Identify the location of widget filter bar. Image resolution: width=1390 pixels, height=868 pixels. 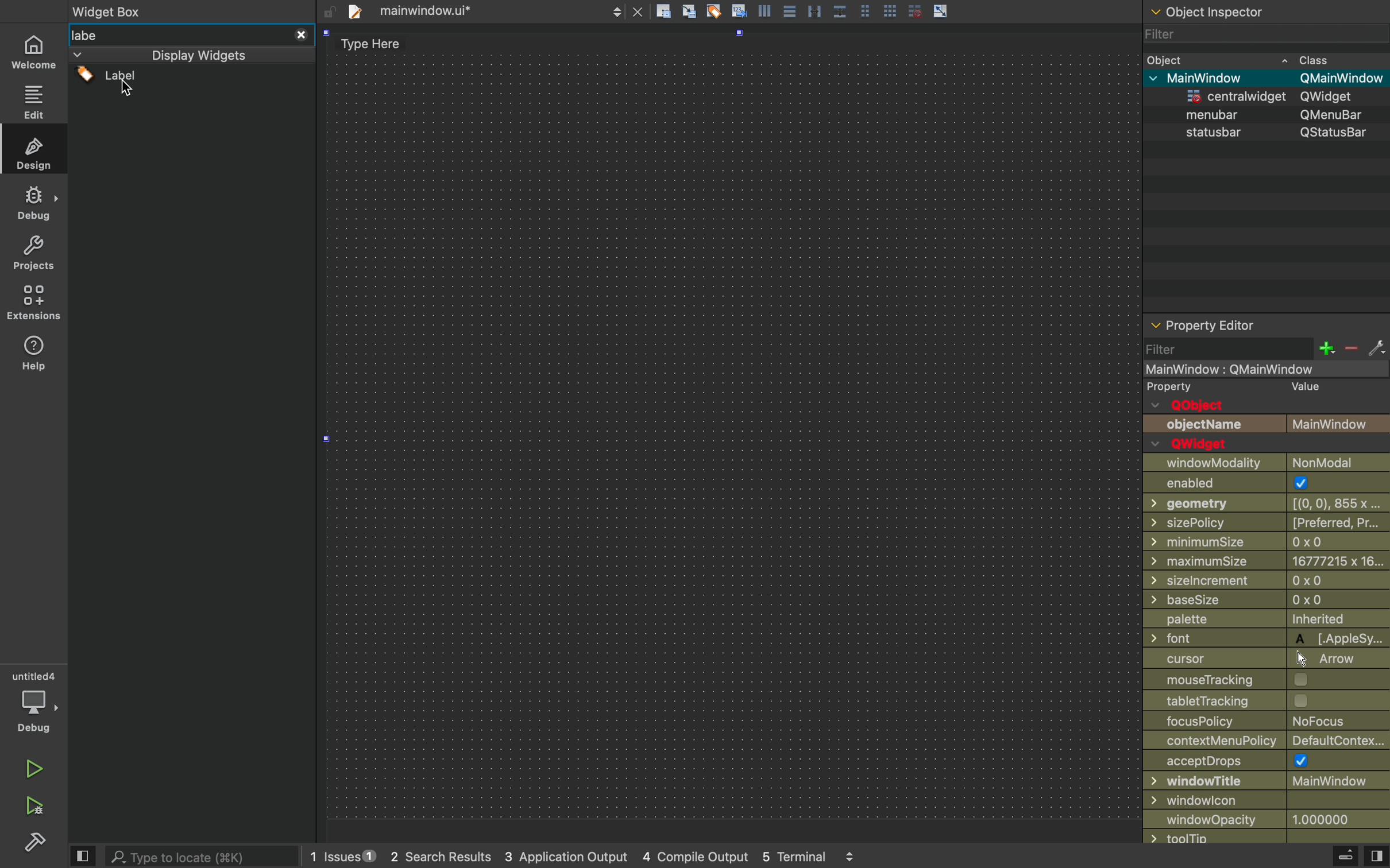
(299, 34).